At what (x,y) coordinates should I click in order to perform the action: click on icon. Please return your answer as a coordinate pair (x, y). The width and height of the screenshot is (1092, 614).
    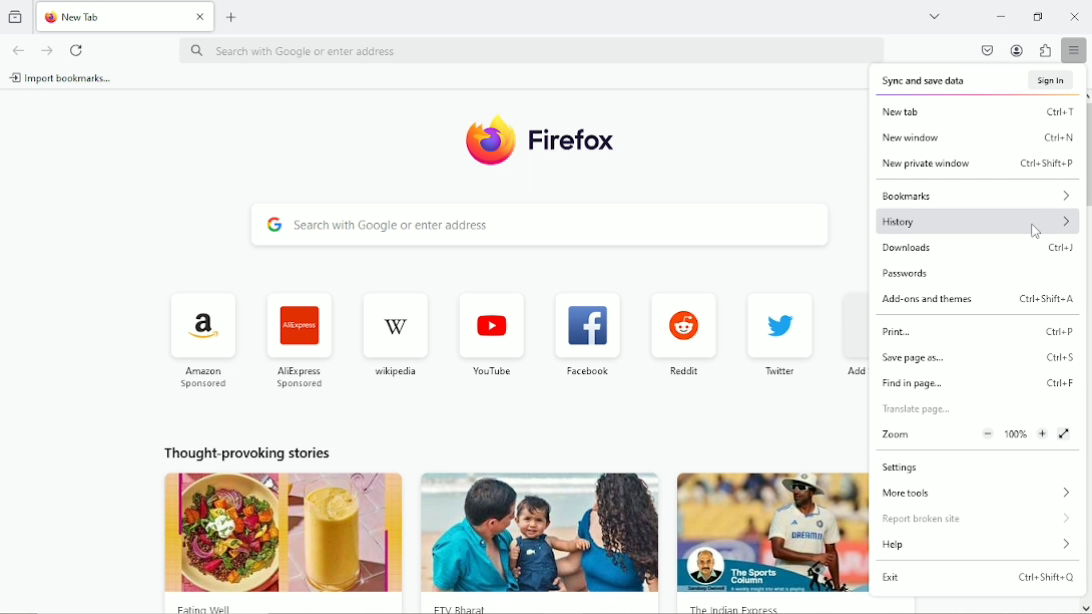
    Looking at the image, I should click on (491, 329).